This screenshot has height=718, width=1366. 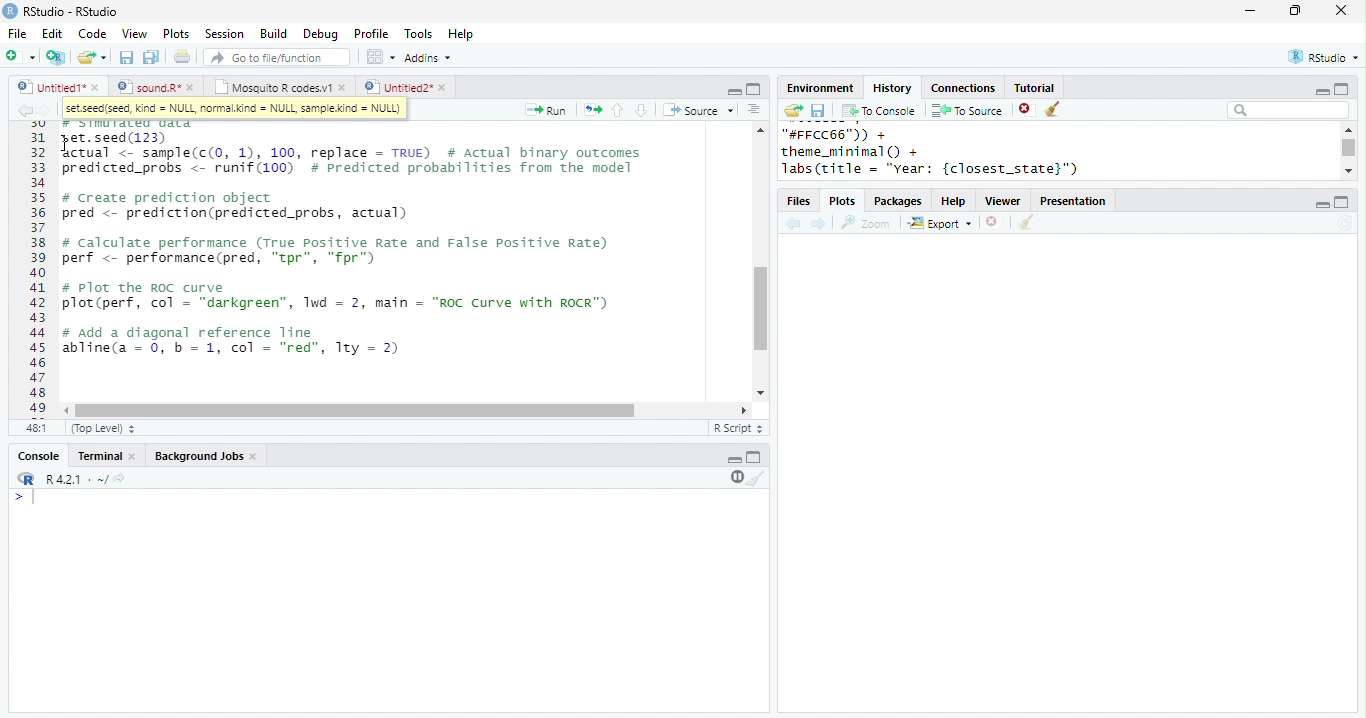 I want to click on Build, so click(x=273, y=34).